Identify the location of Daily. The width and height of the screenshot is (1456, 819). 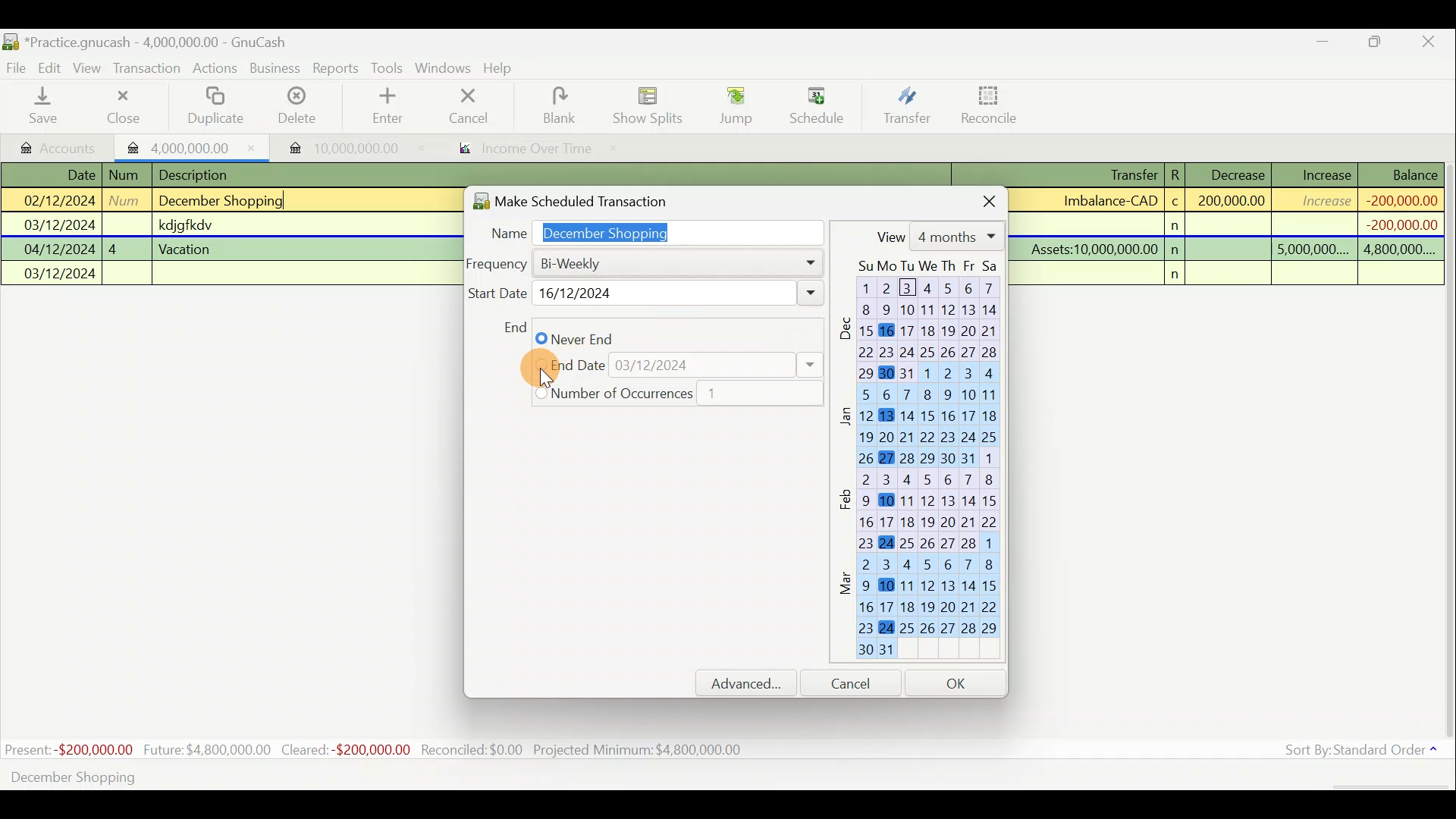
(607, 262).